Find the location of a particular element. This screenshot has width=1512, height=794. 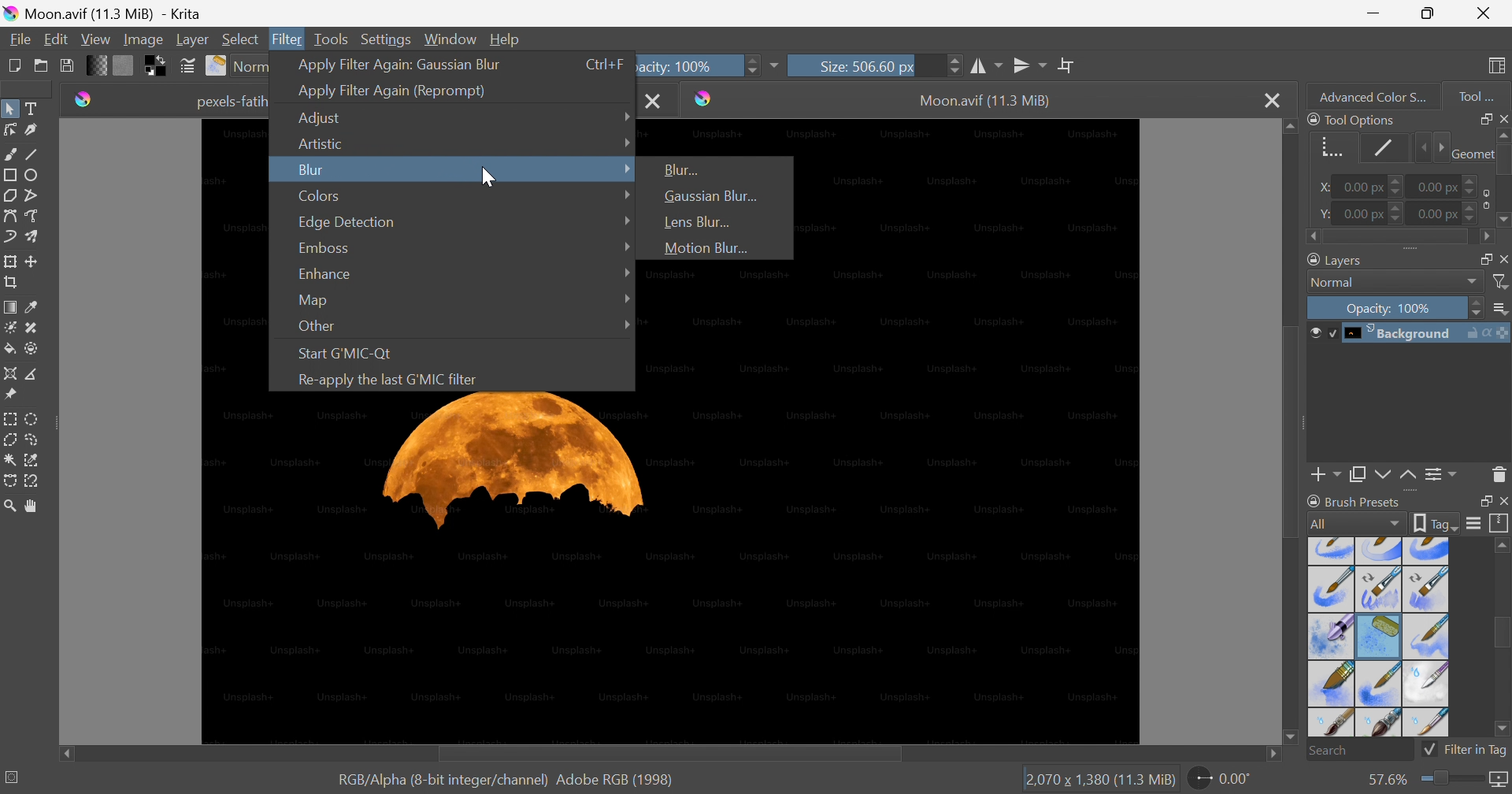

Drop Down is located at coordinates (626, 247).